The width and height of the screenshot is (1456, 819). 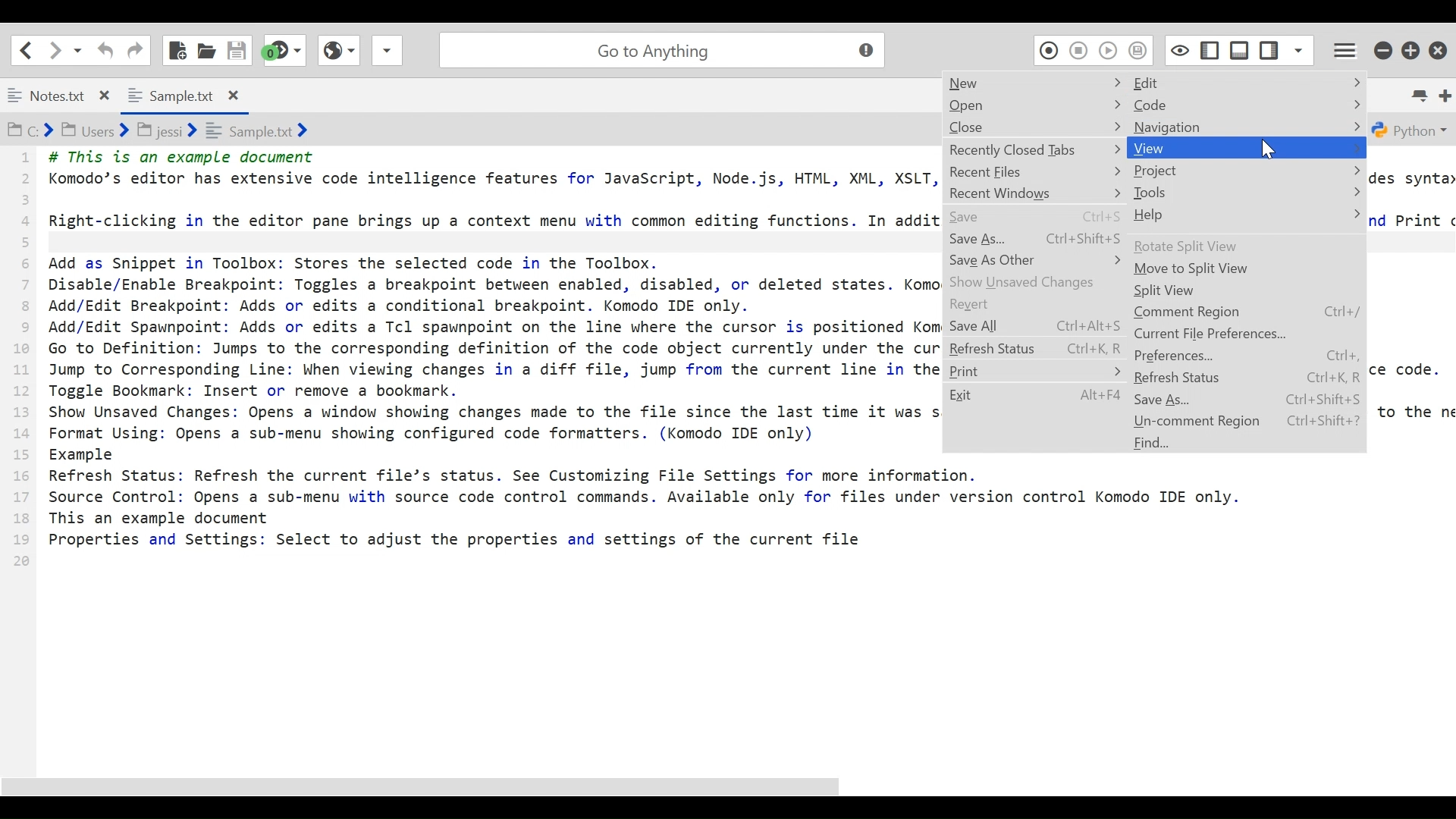 What do you see at coordinates (135, 49) in the screenshot?
I see `Redo` at bounding box center [135, 49].